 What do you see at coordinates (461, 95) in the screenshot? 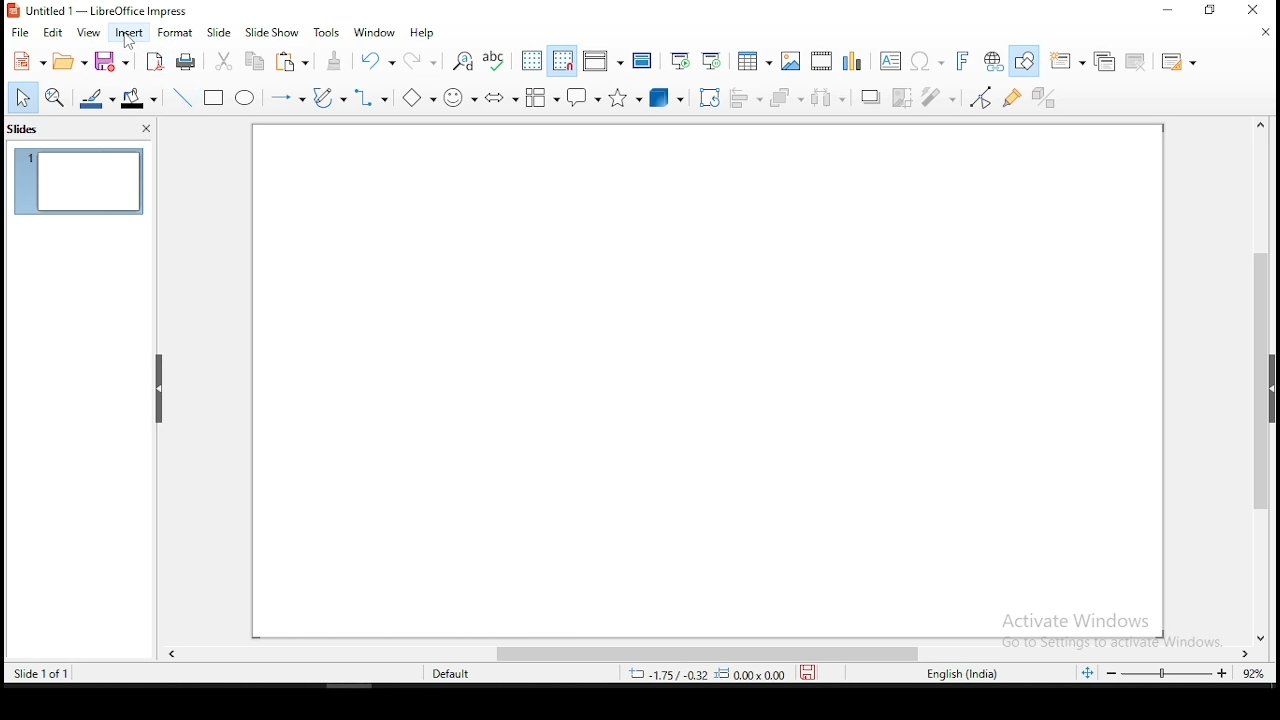
I see `symbol shapes` at bounding box center [461, 95].